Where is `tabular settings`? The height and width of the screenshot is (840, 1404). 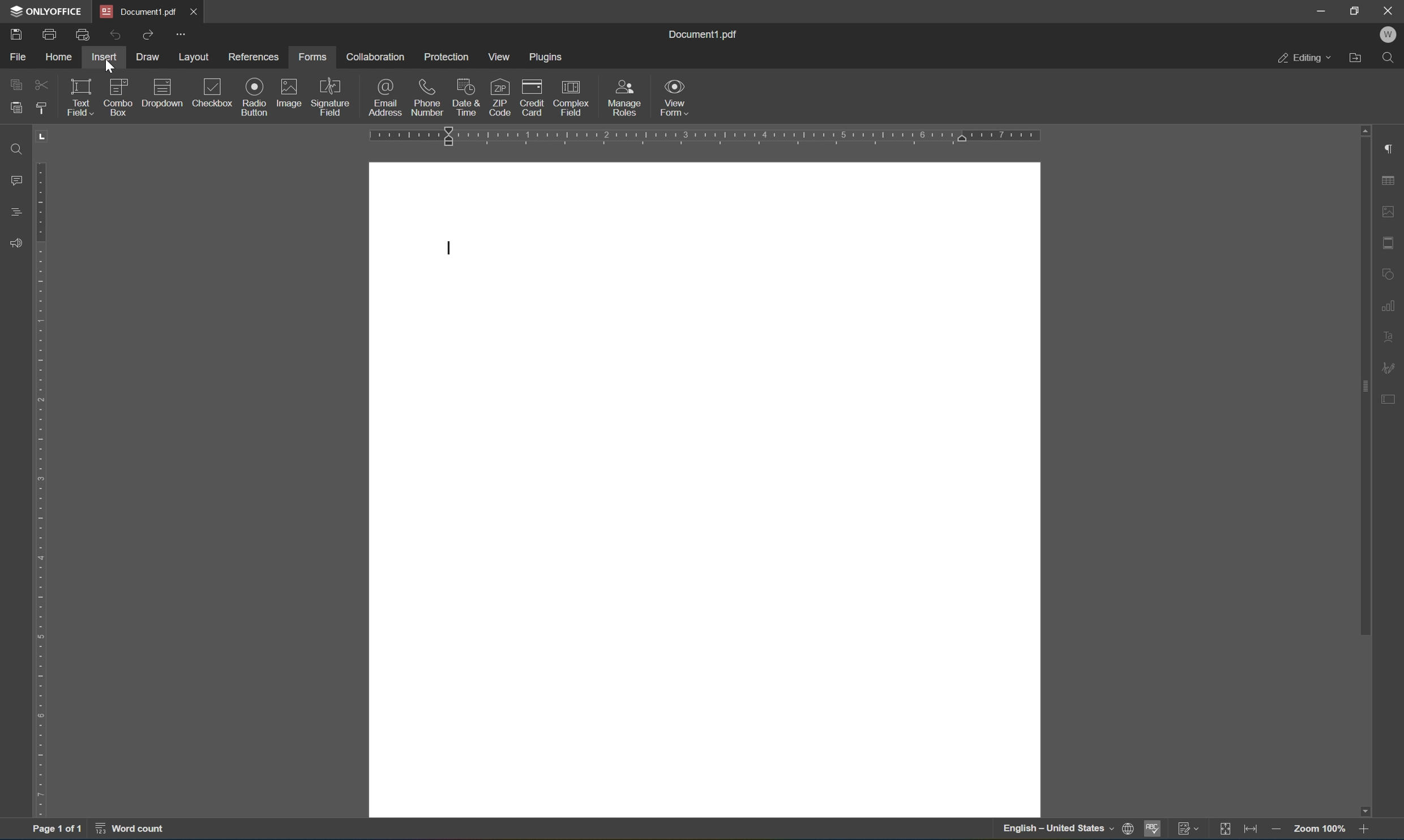 tabular settings is located at coordinates (1390, 181).